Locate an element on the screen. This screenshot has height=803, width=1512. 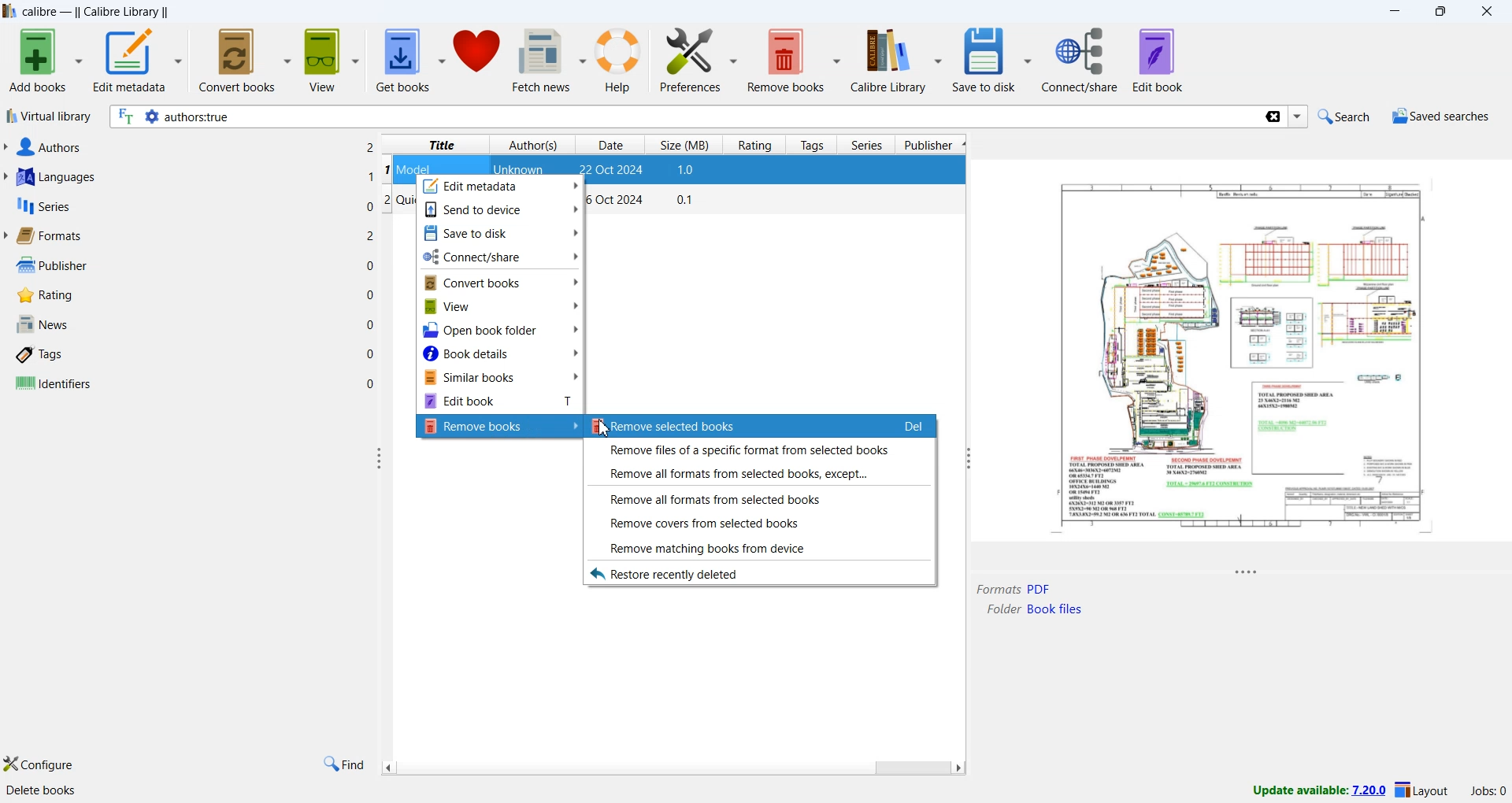
0 is located at coordinates (371, 383).